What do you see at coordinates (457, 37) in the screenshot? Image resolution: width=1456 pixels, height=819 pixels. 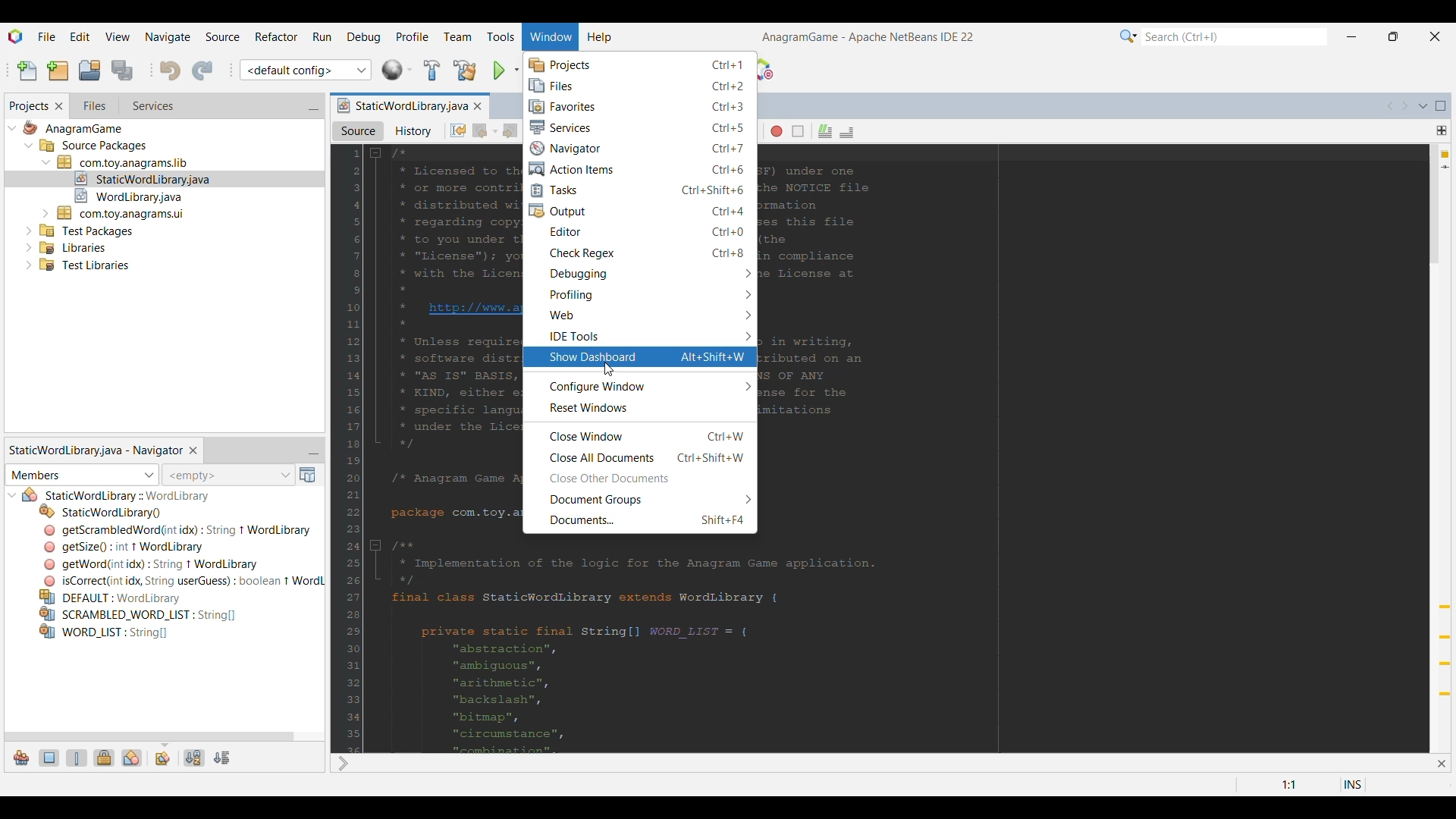 I see `Team menu` at bounding box center [457, 37].